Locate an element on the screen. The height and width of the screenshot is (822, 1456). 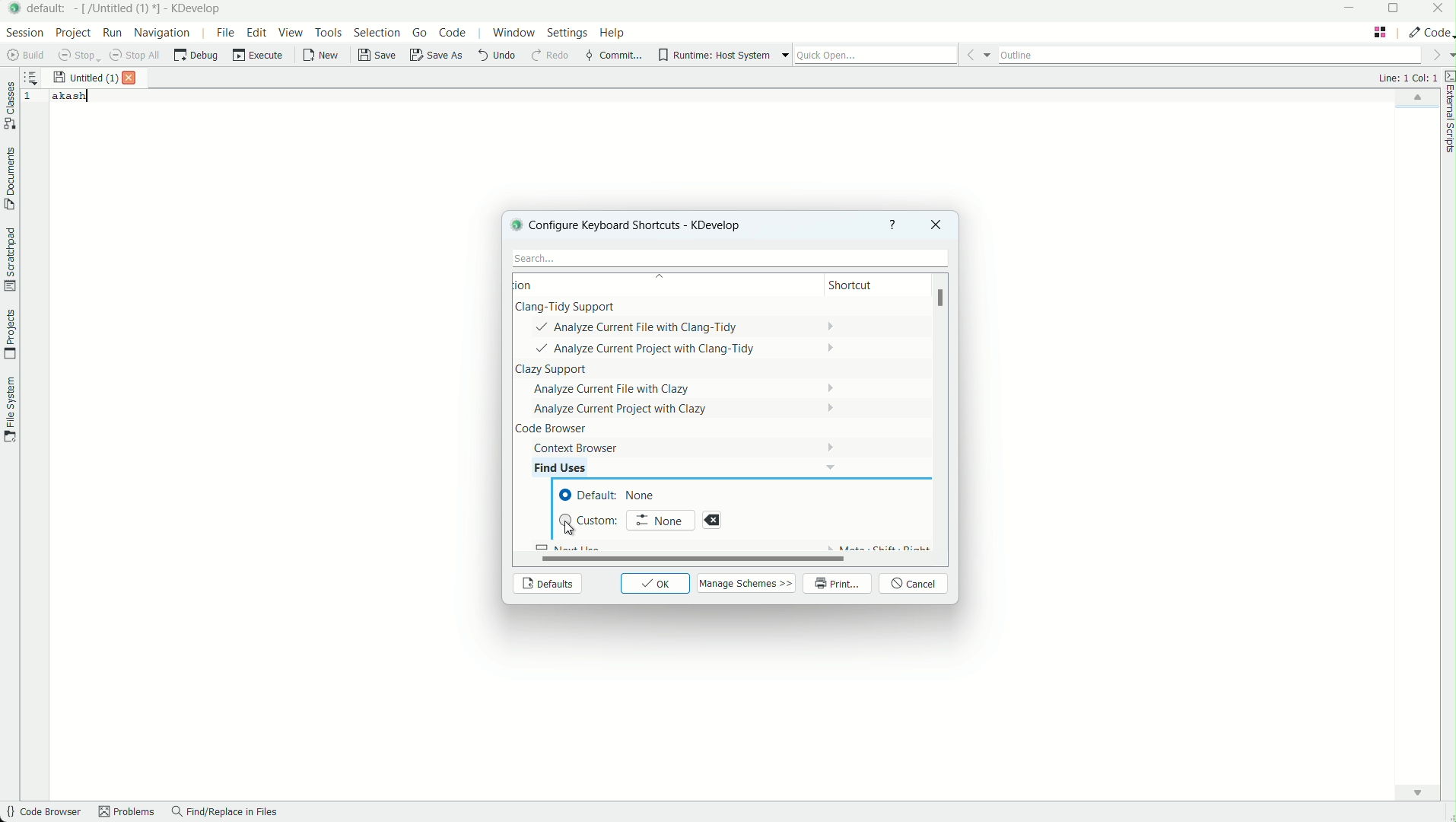
line number is located at coordinates (31, 97).